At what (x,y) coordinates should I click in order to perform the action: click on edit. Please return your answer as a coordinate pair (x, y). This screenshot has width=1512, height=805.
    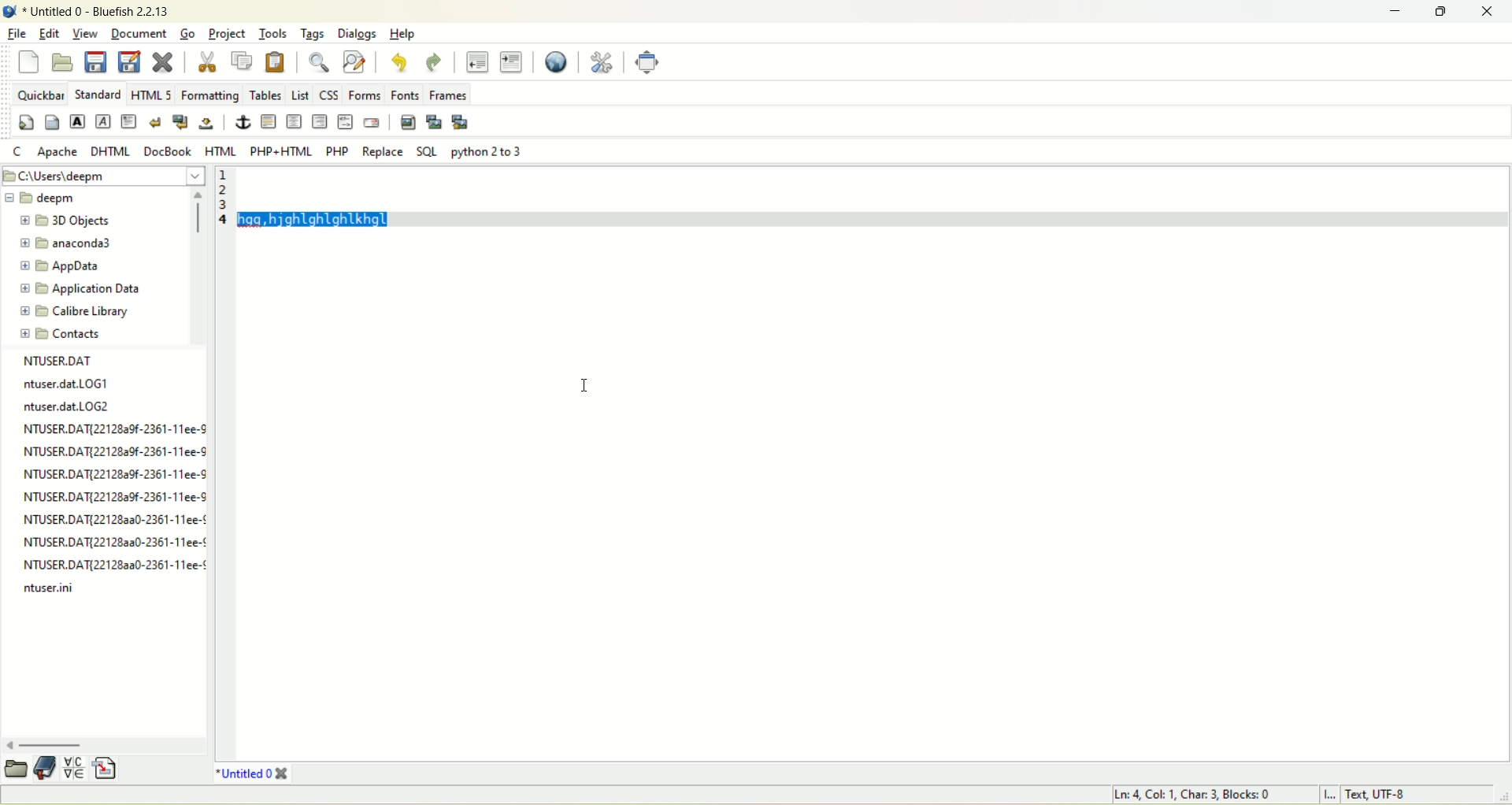
    Looking at the image, I should click on (48, 33).